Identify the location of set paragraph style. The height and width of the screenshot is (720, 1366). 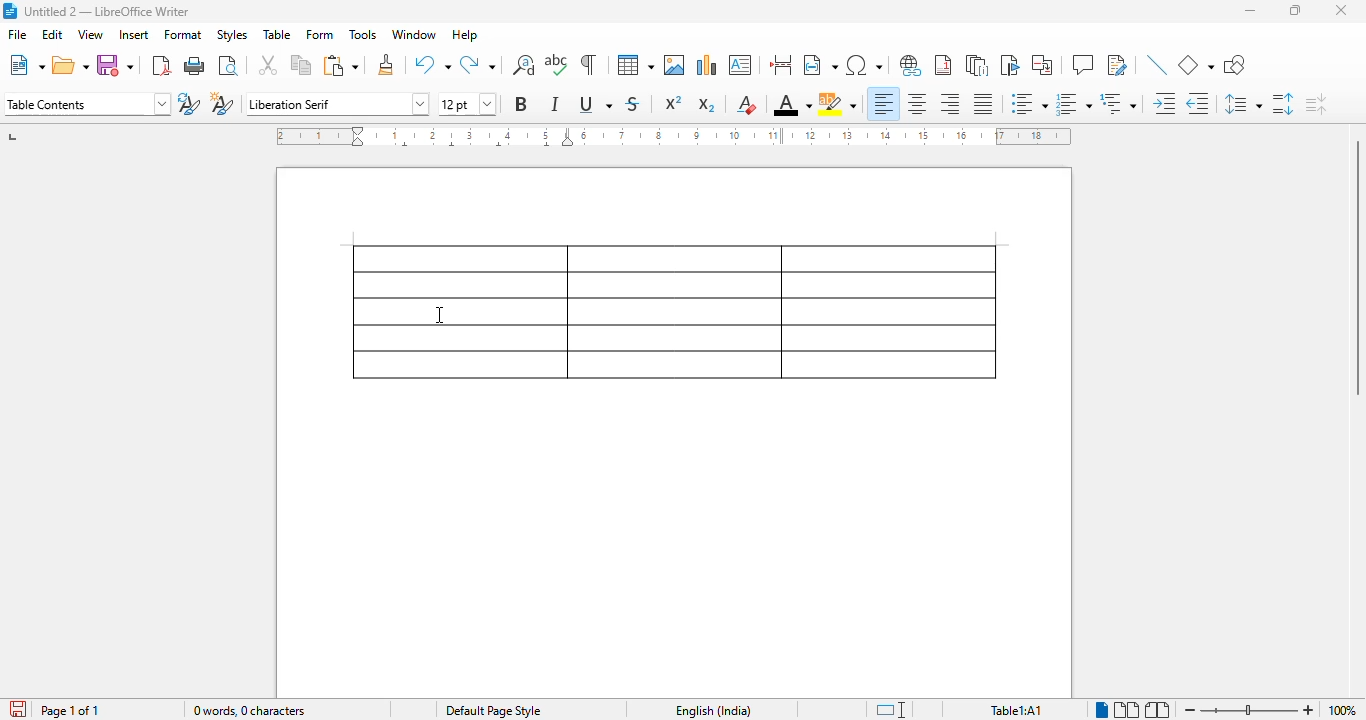
(87, 104).